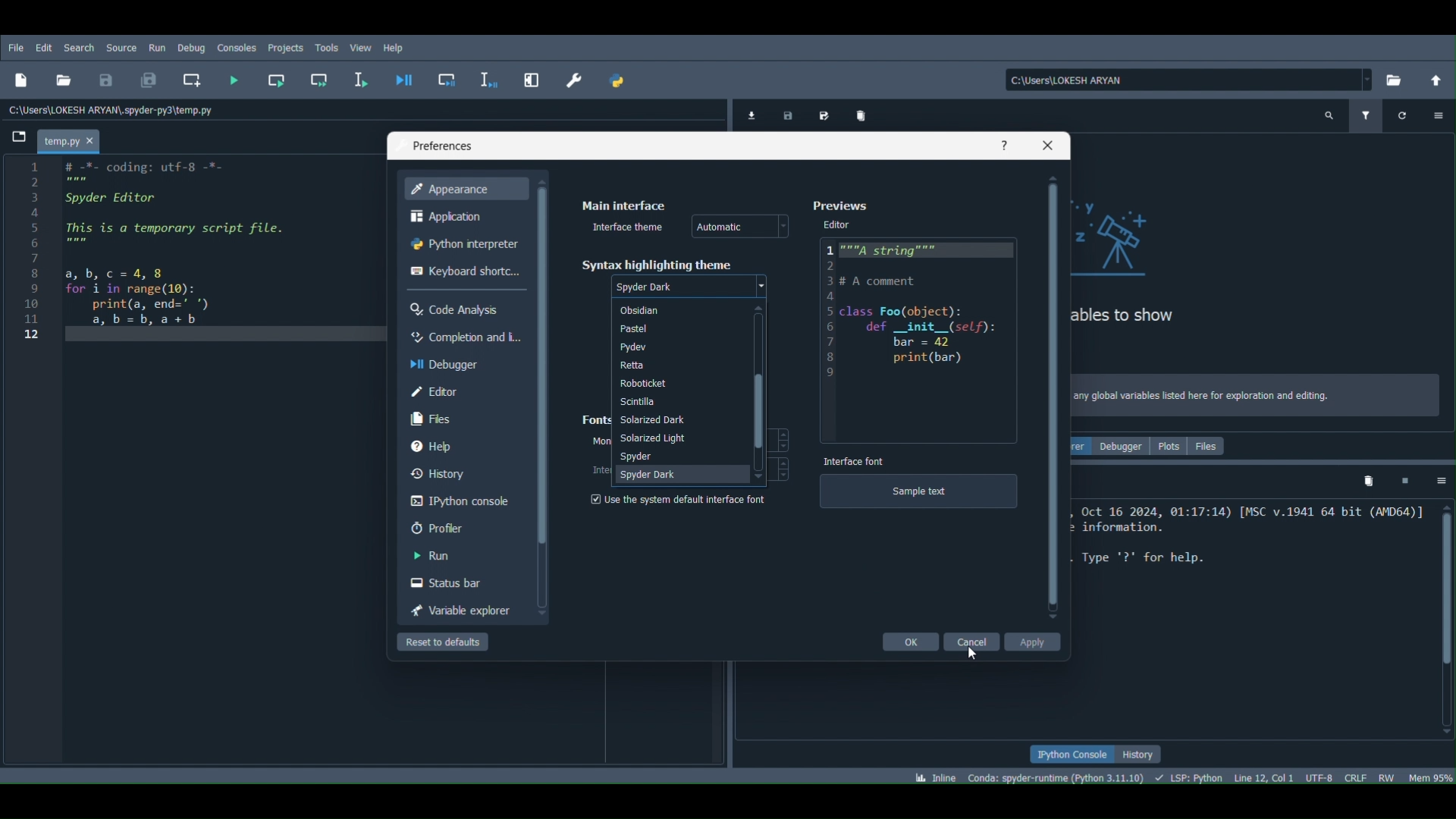 This screenshot has height=819, width=1456. Describe the element at coordinates (465, 475) in the screenshot. I see `History` at that location.